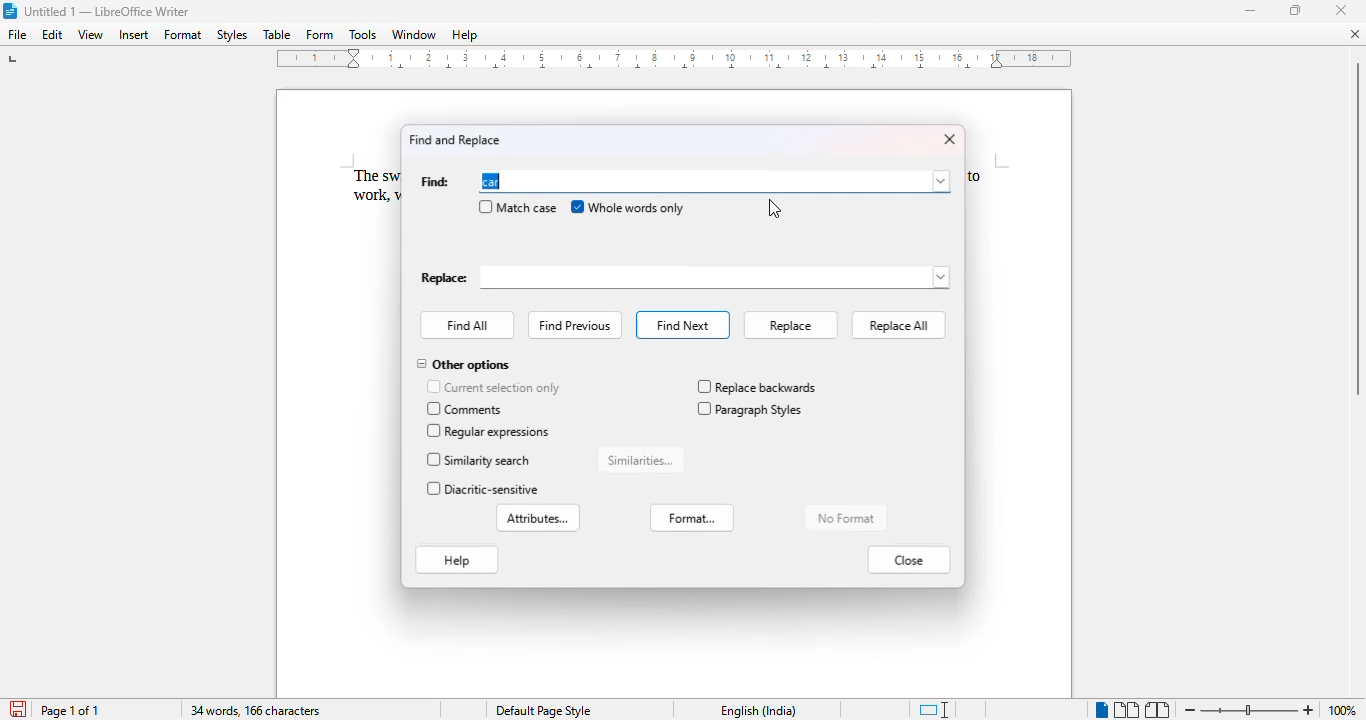  Describe the element at coordinates (542, 711) in the screenshot. I see `Default page style` at that location.